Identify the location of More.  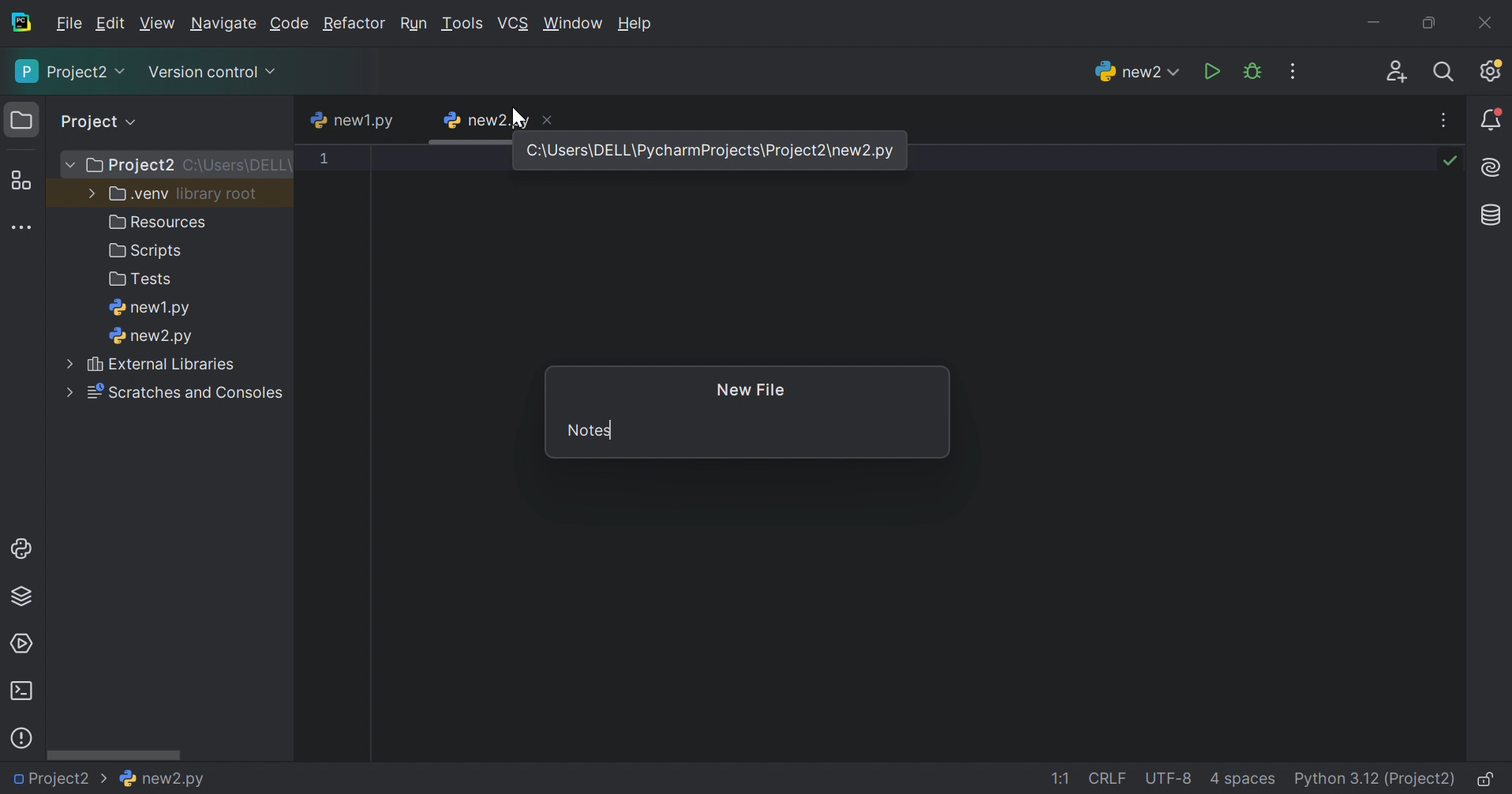
(65, 394).